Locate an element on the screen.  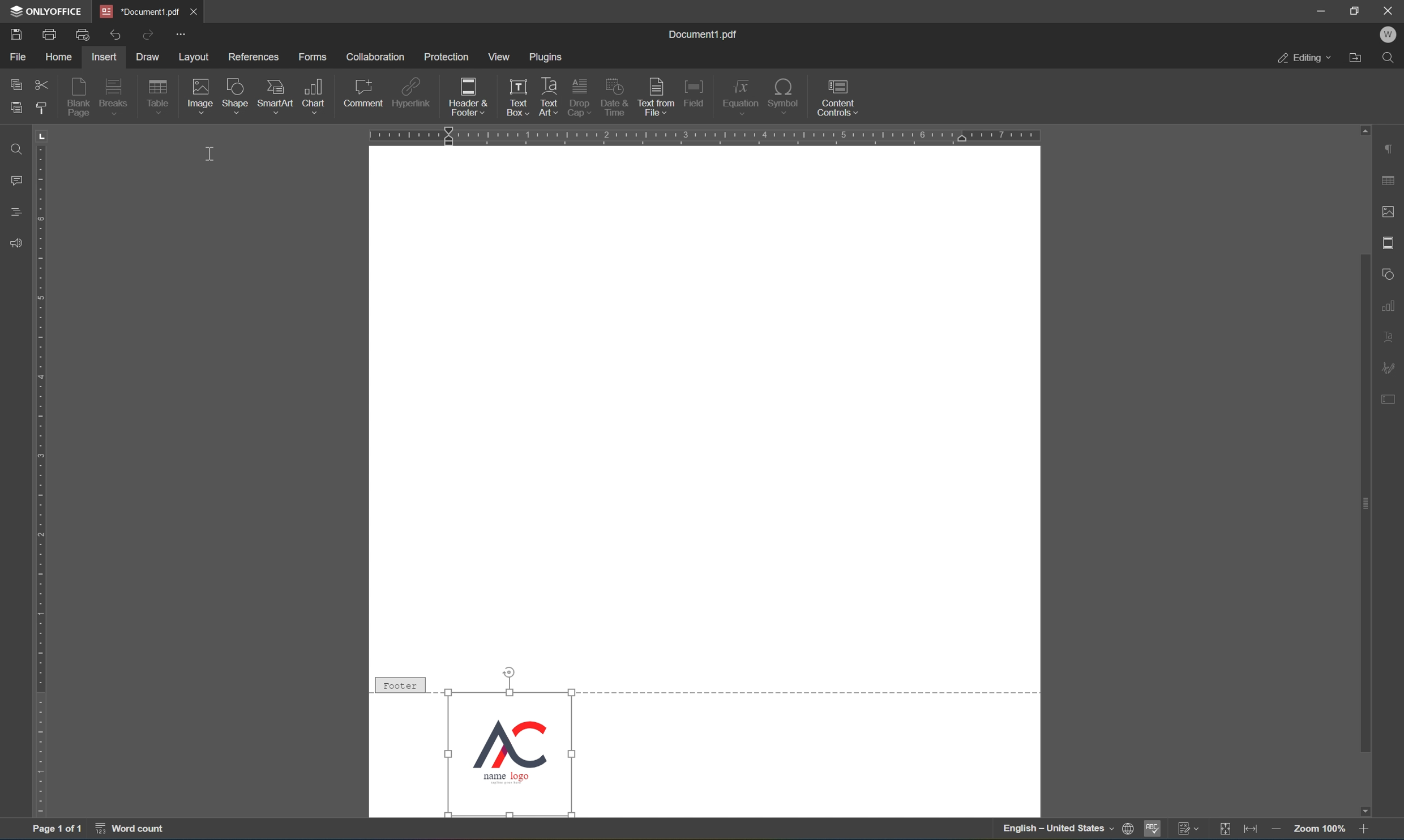
 is located at coordinates (1371, 809).